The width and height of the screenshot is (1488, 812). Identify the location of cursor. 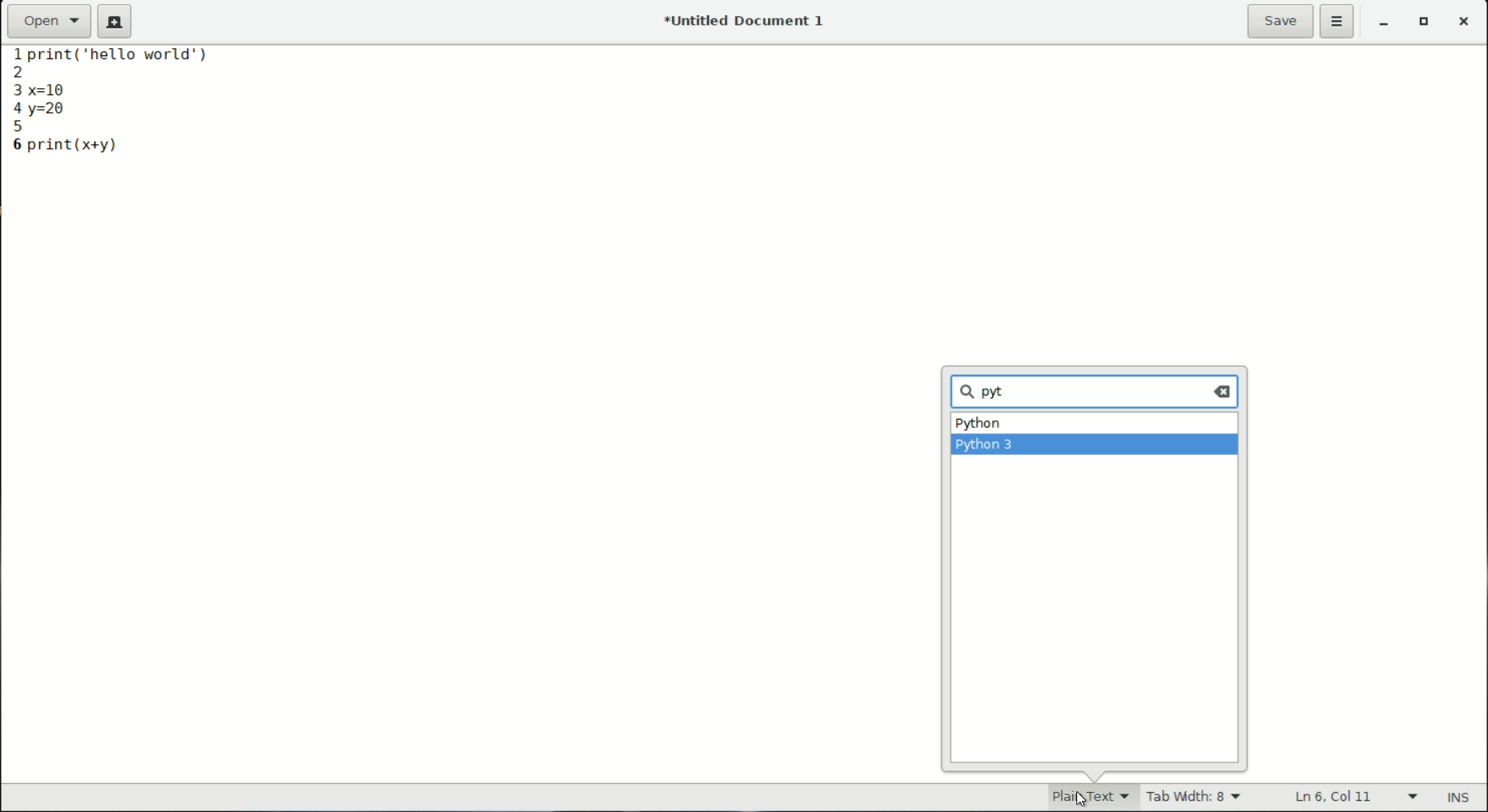
(1006, 391).